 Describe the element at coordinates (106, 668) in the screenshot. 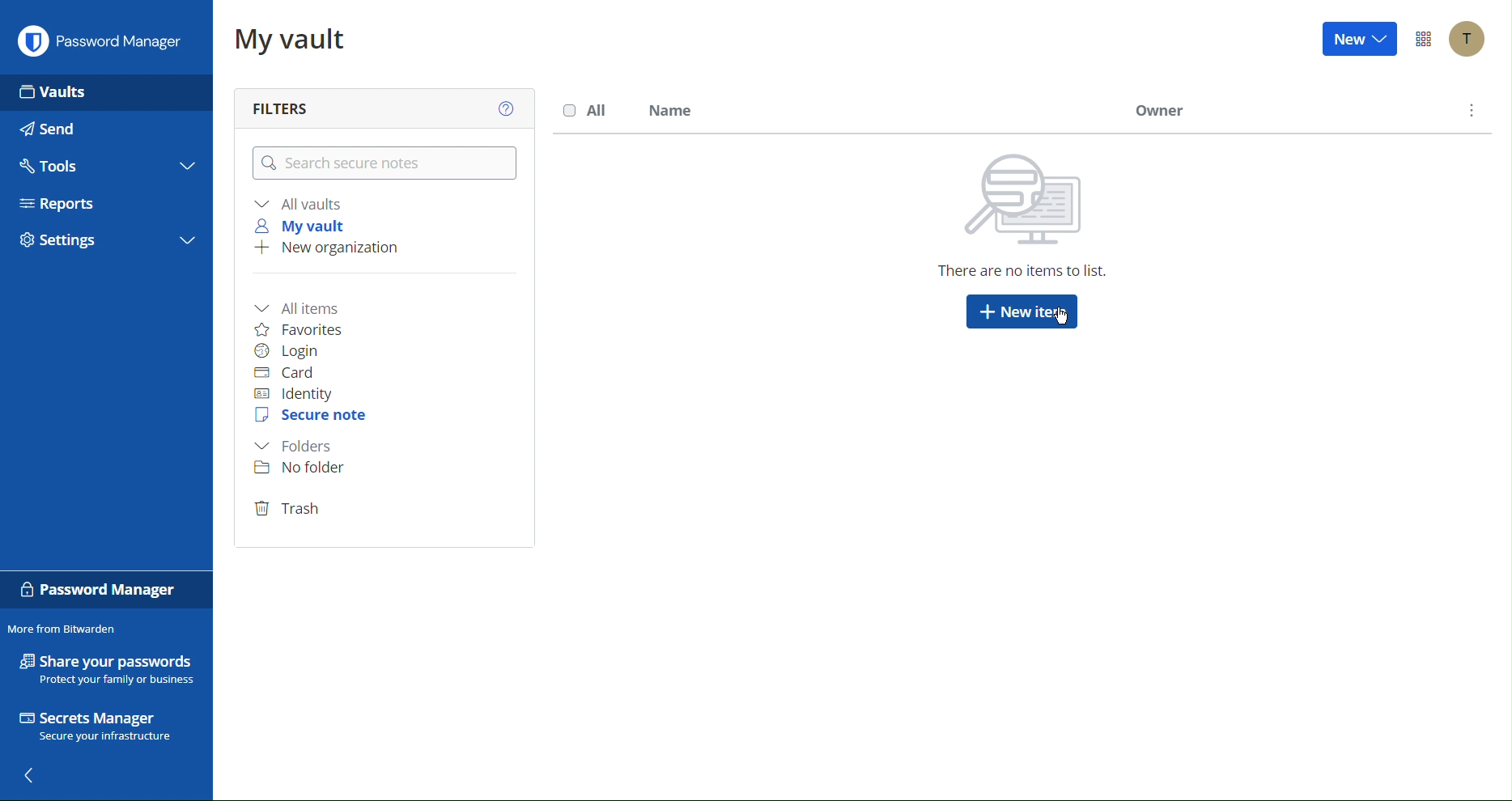

I see `Share your passwords` at that location.